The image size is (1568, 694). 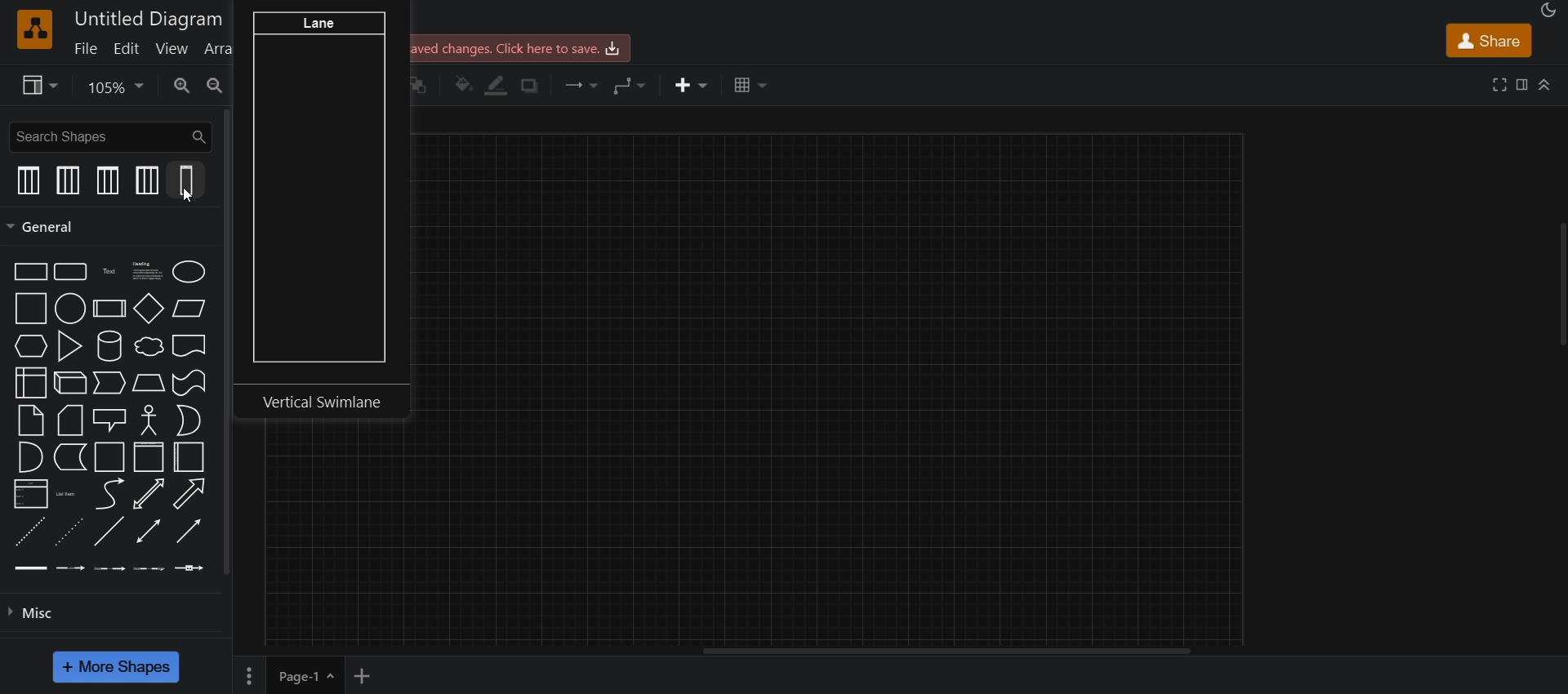 What do you see at coordinates (153, 569) in the screenshot?
I see `connector with 3 labels` at bounding box center [153, 569].